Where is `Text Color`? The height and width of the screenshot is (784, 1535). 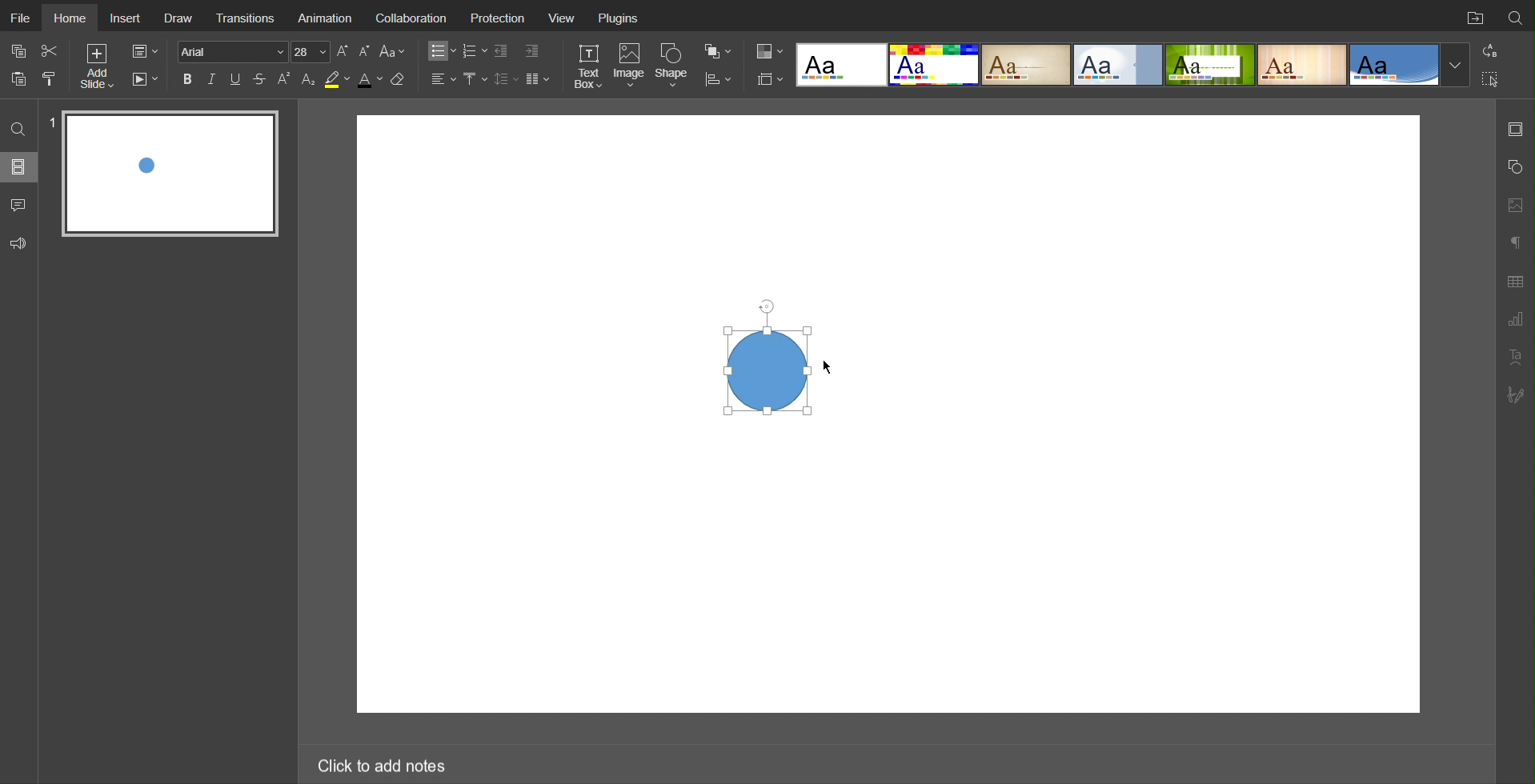 Text Color is located at coordinates (369, 80).